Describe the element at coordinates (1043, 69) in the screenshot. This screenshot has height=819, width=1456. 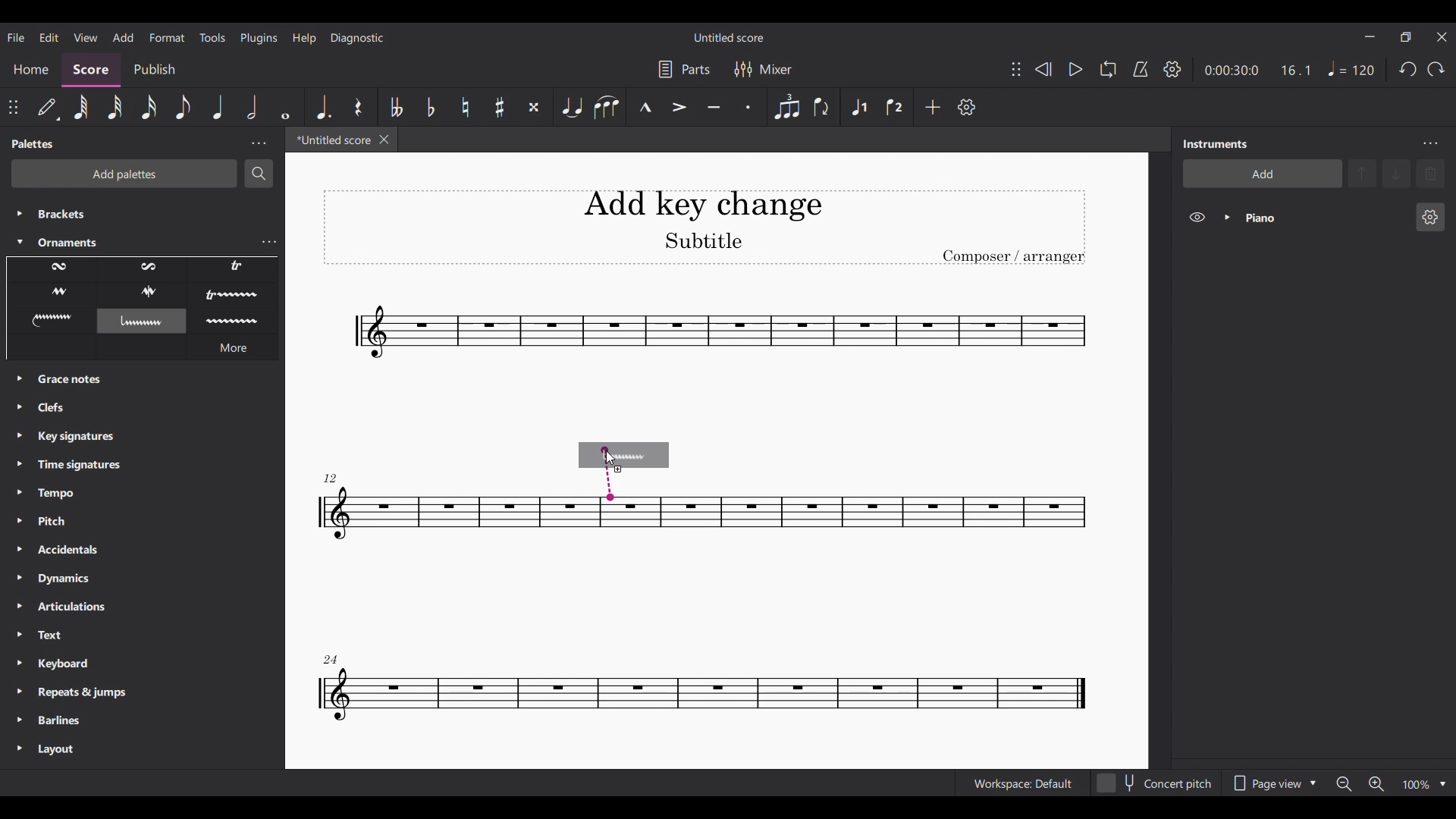
I see `Rewind` at that location.